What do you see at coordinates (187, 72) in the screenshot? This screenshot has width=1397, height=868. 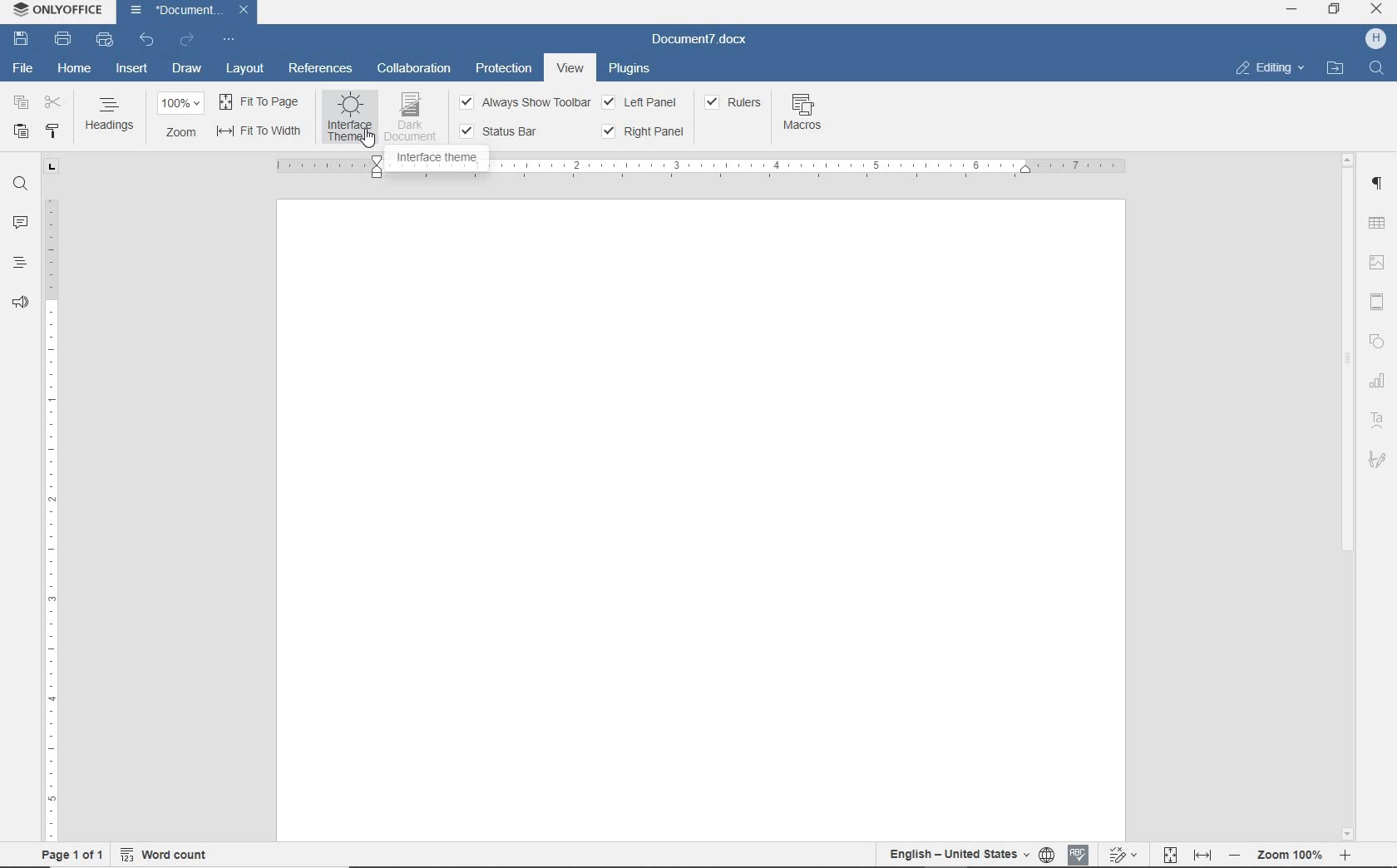 I see `DRAW` at bounding box center [187, 72].